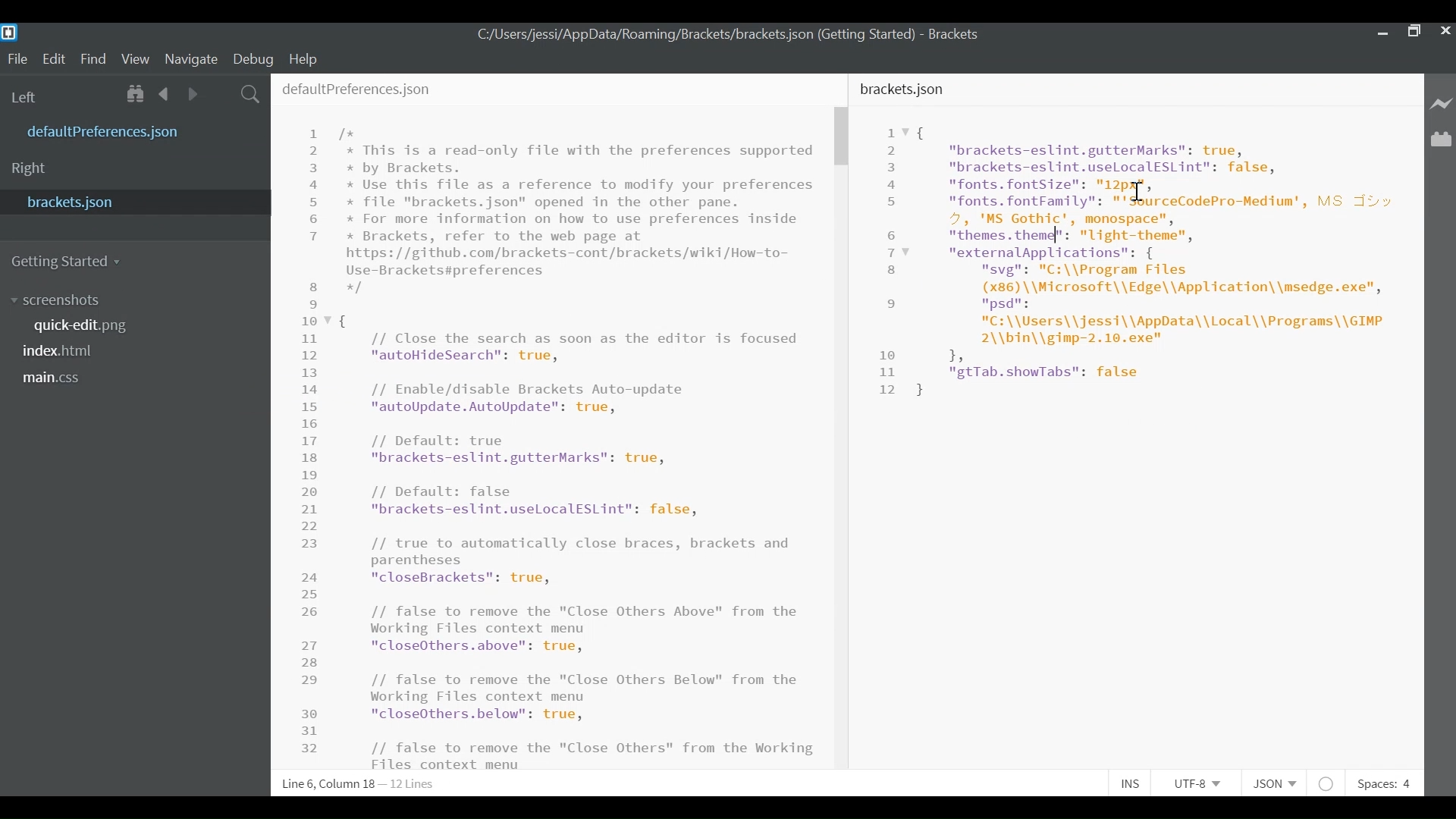 The width and height of the screenshot is (1456, 819). I want to click on Navigate Back, so click(165, 94).